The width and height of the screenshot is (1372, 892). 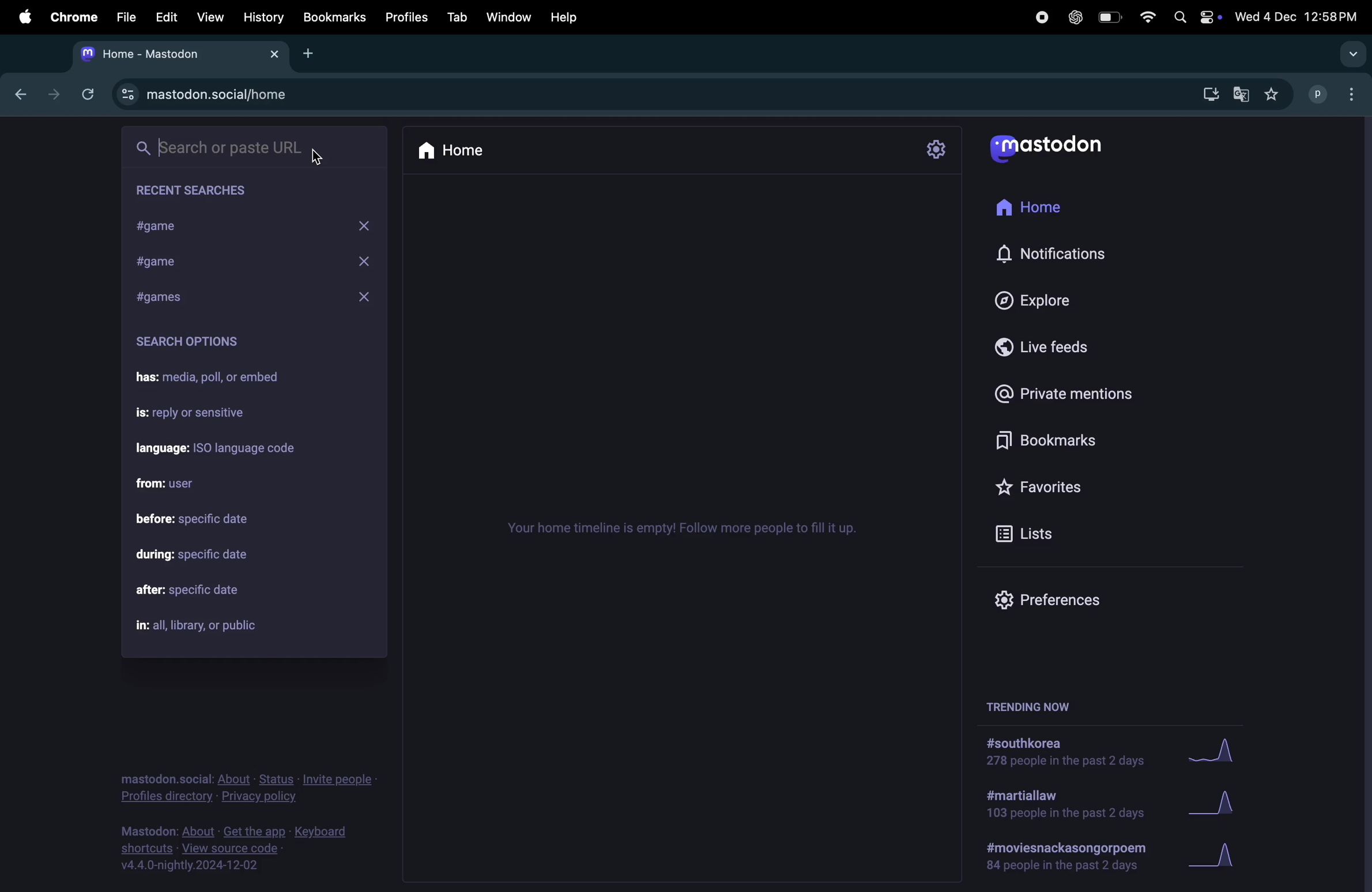 I want to click on go back, so click(x=18, y=95).